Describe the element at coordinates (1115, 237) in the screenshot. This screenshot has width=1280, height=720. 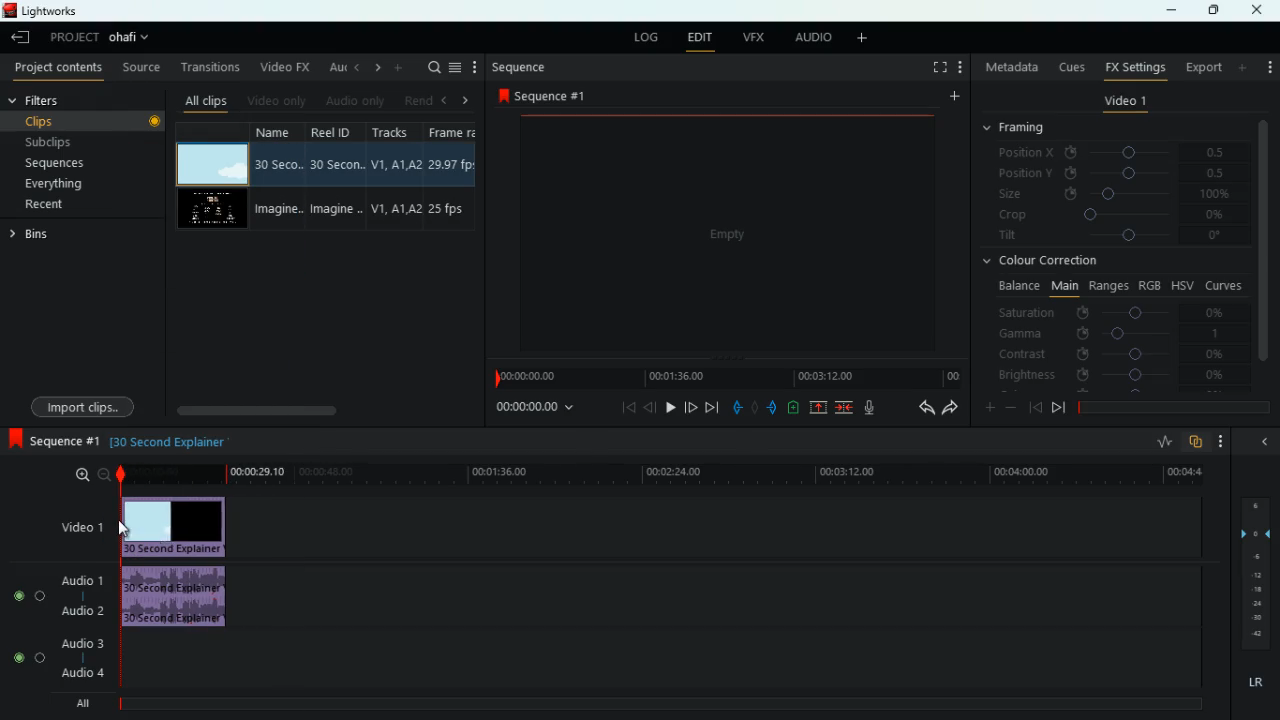
I see `` at that location.